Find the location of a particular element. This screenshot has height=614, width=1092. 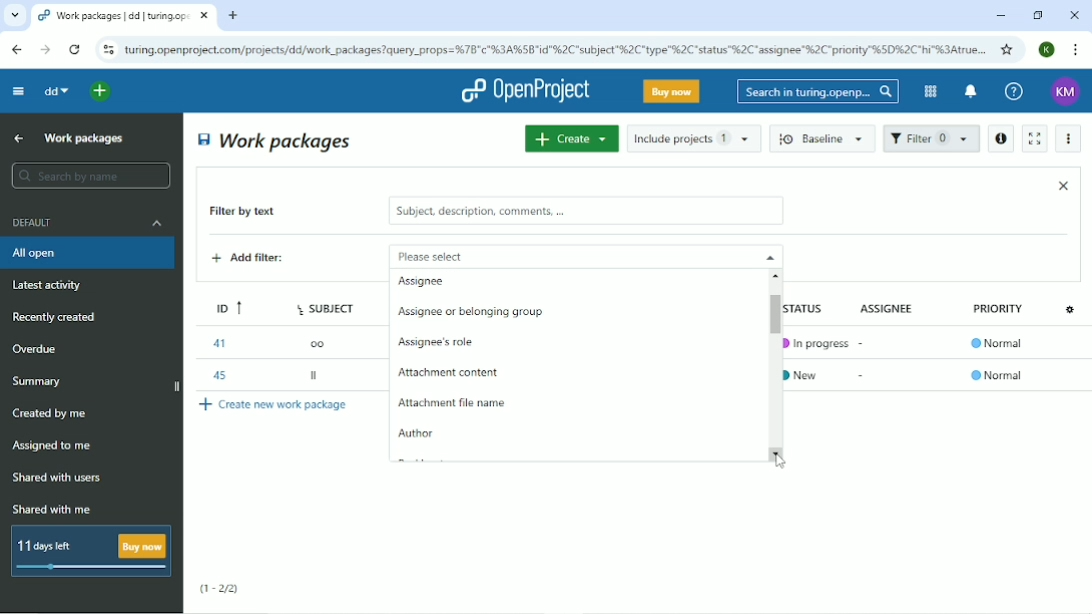

Overdue is located at coordinates (37, 350).